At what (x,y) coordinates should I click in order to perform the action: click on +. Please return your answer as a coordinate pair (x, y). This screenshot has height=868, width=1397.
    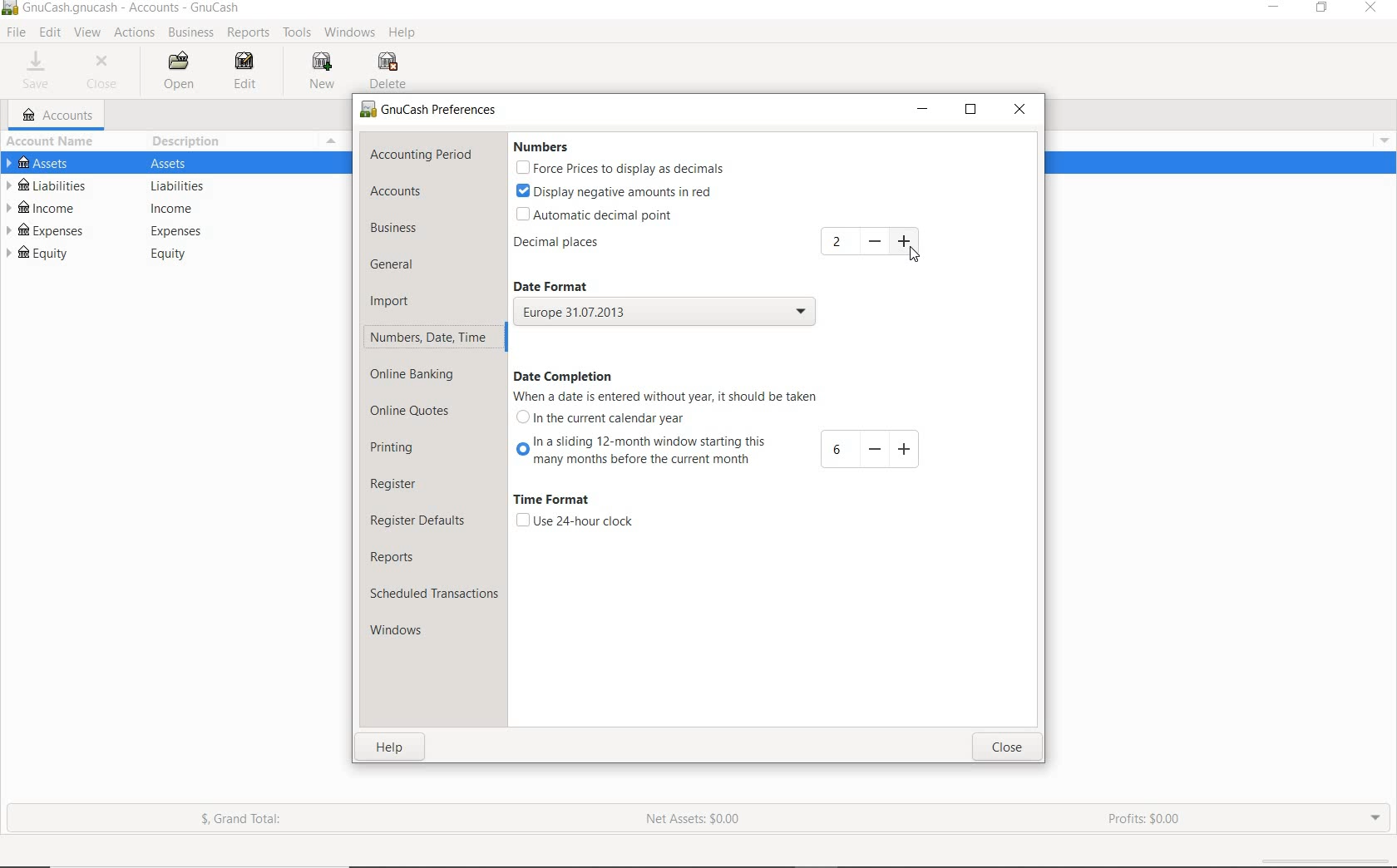
    Looking at the image, I should click on (904, 448).